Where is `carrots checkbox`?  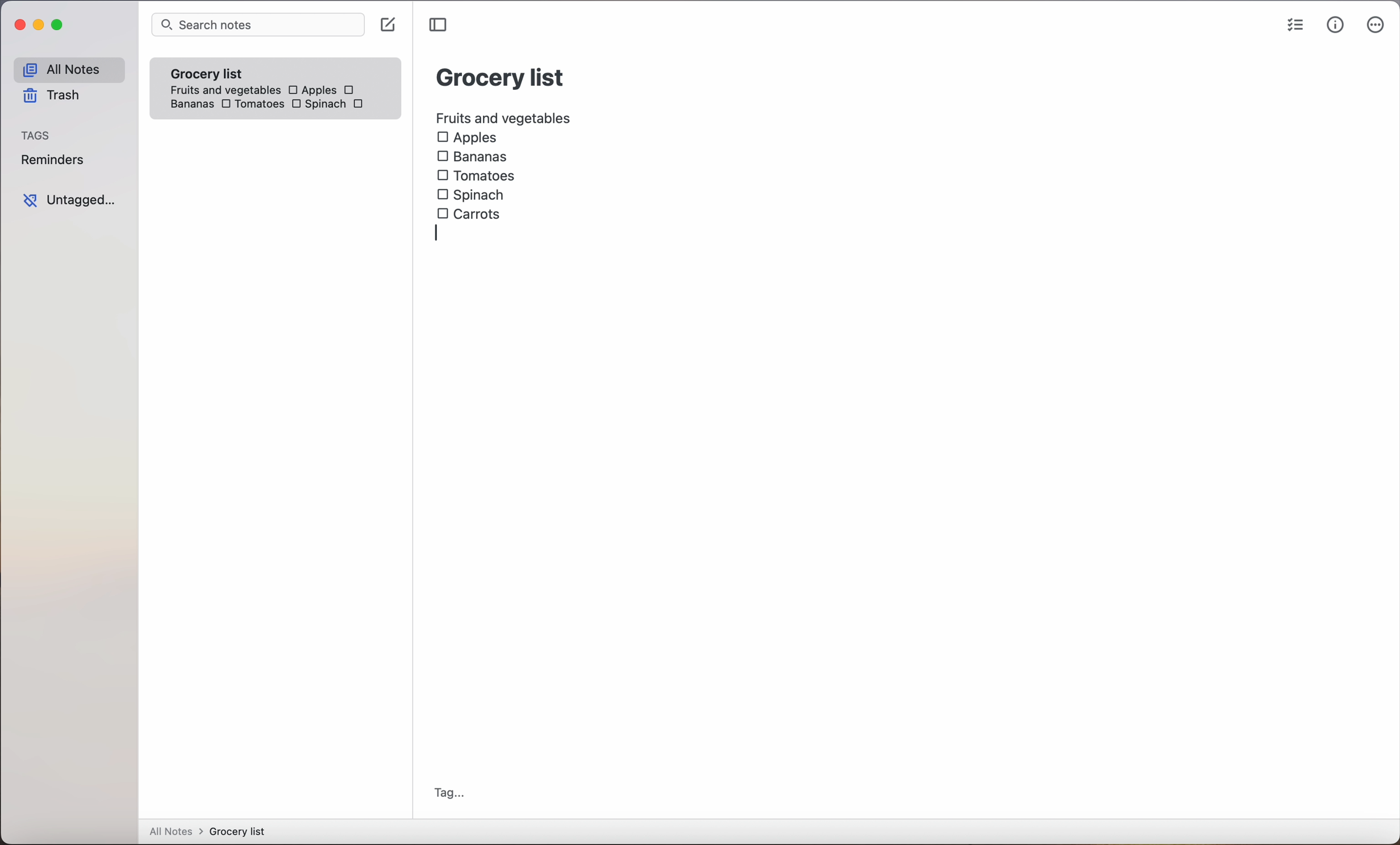
carrots checkbox is located at coordinates (472, 212).